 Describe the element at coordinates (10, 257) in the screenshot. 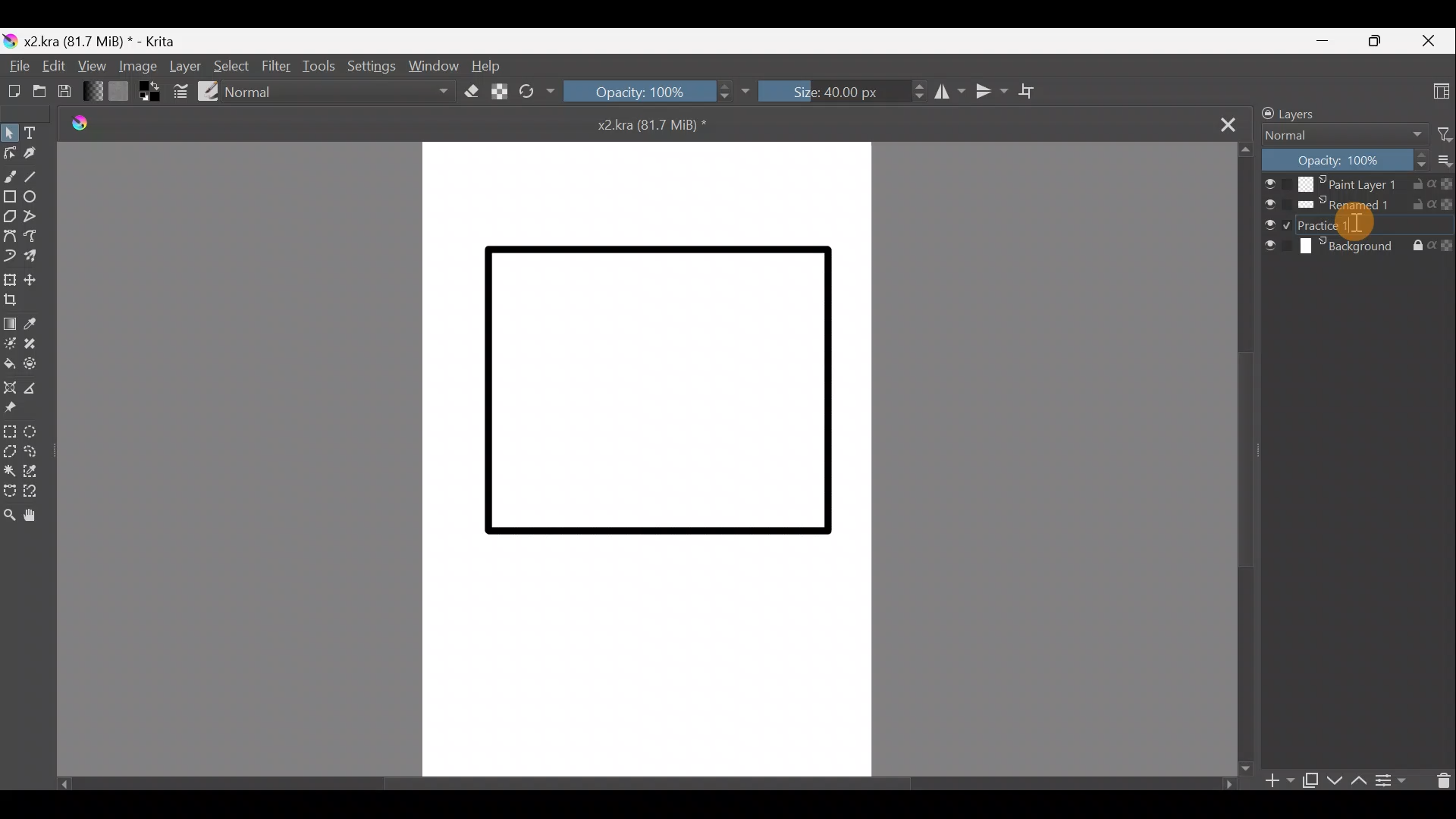

I see `Dynamic brush tool` at that location.